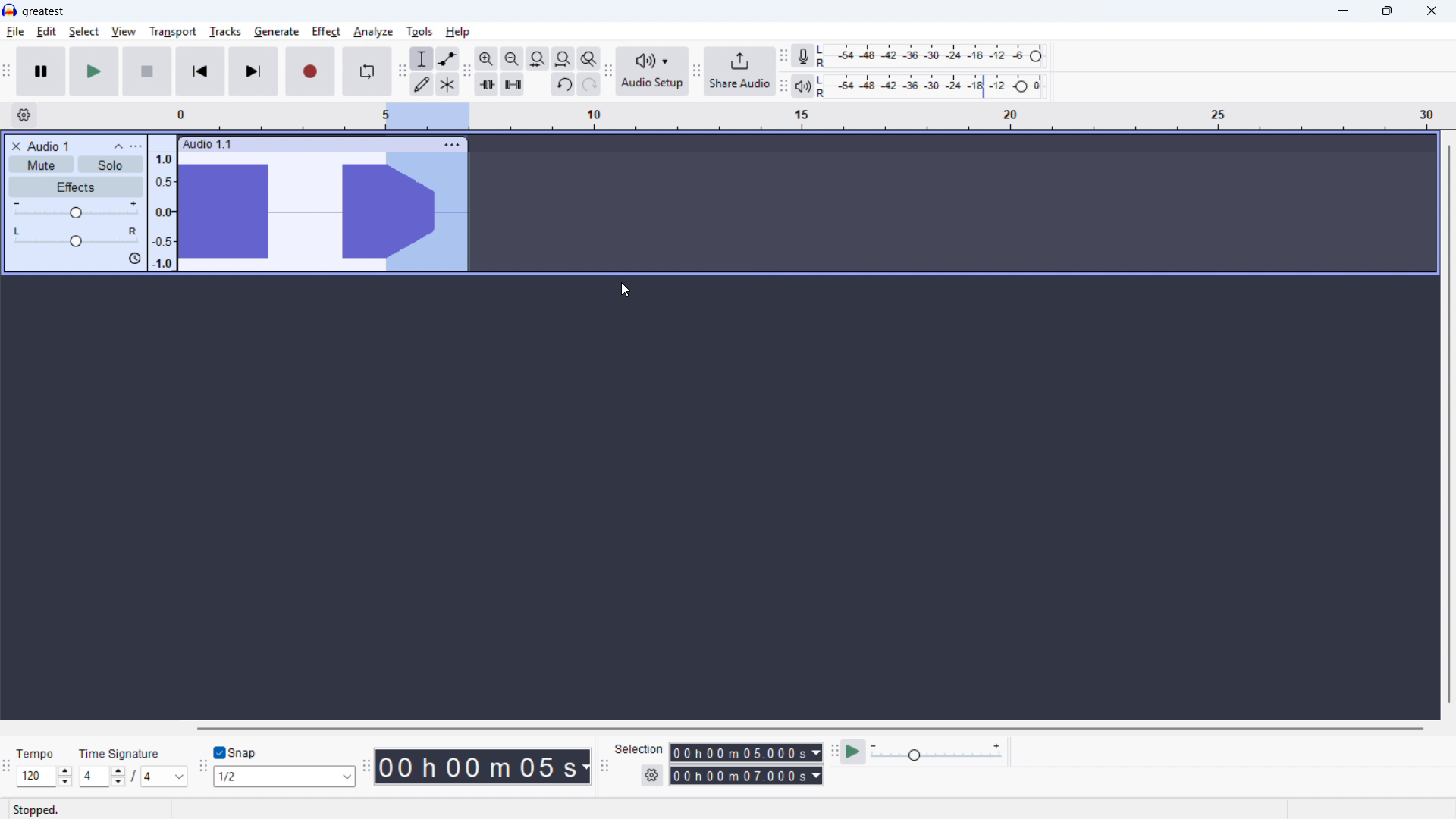  What do you see at coordinates (134, 777) in the screenshot?
I see `Set time signature ` at bounding box center [134, 777].